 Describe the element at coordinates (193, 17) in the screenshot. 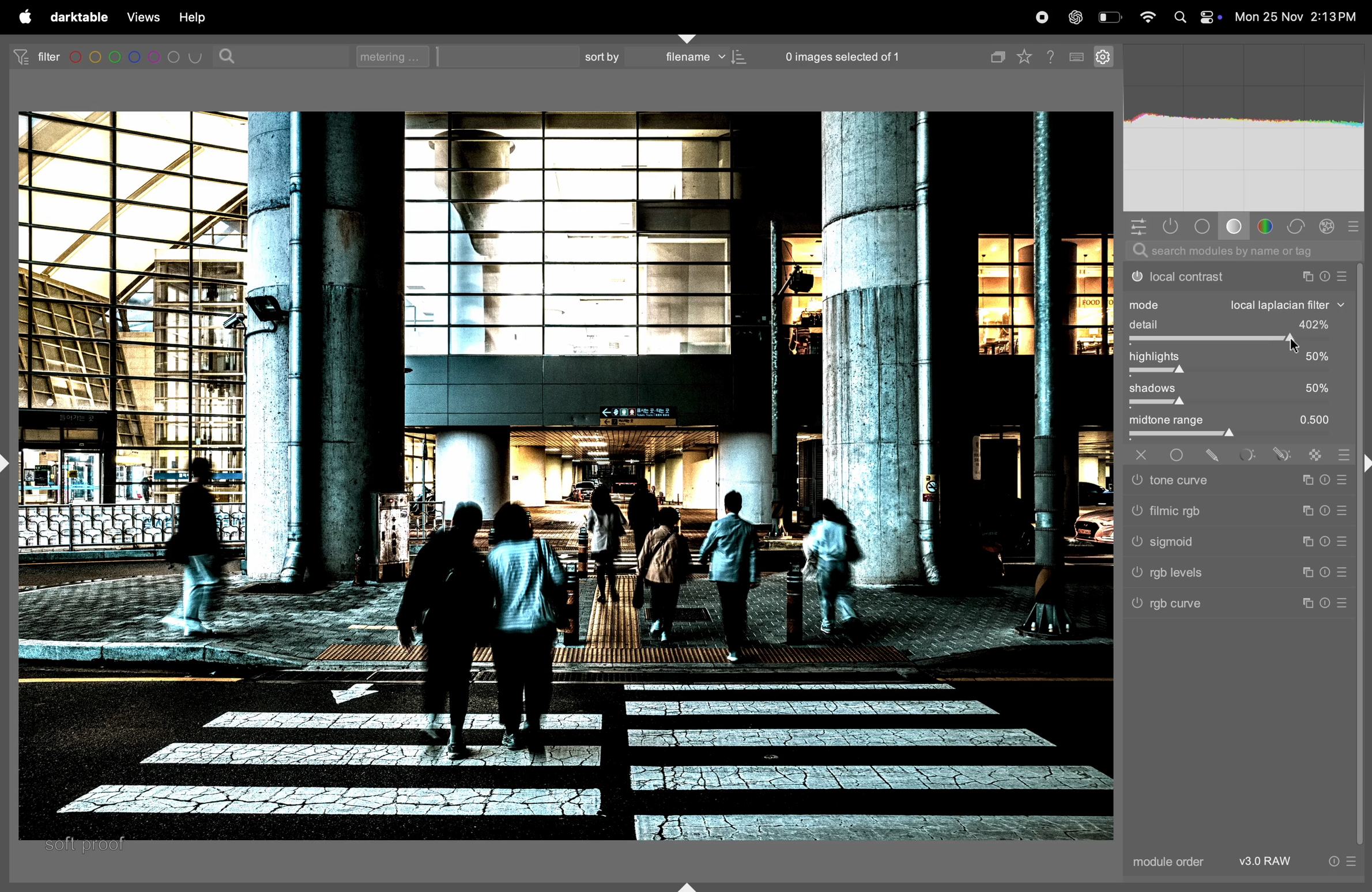

I see `help` at that location.